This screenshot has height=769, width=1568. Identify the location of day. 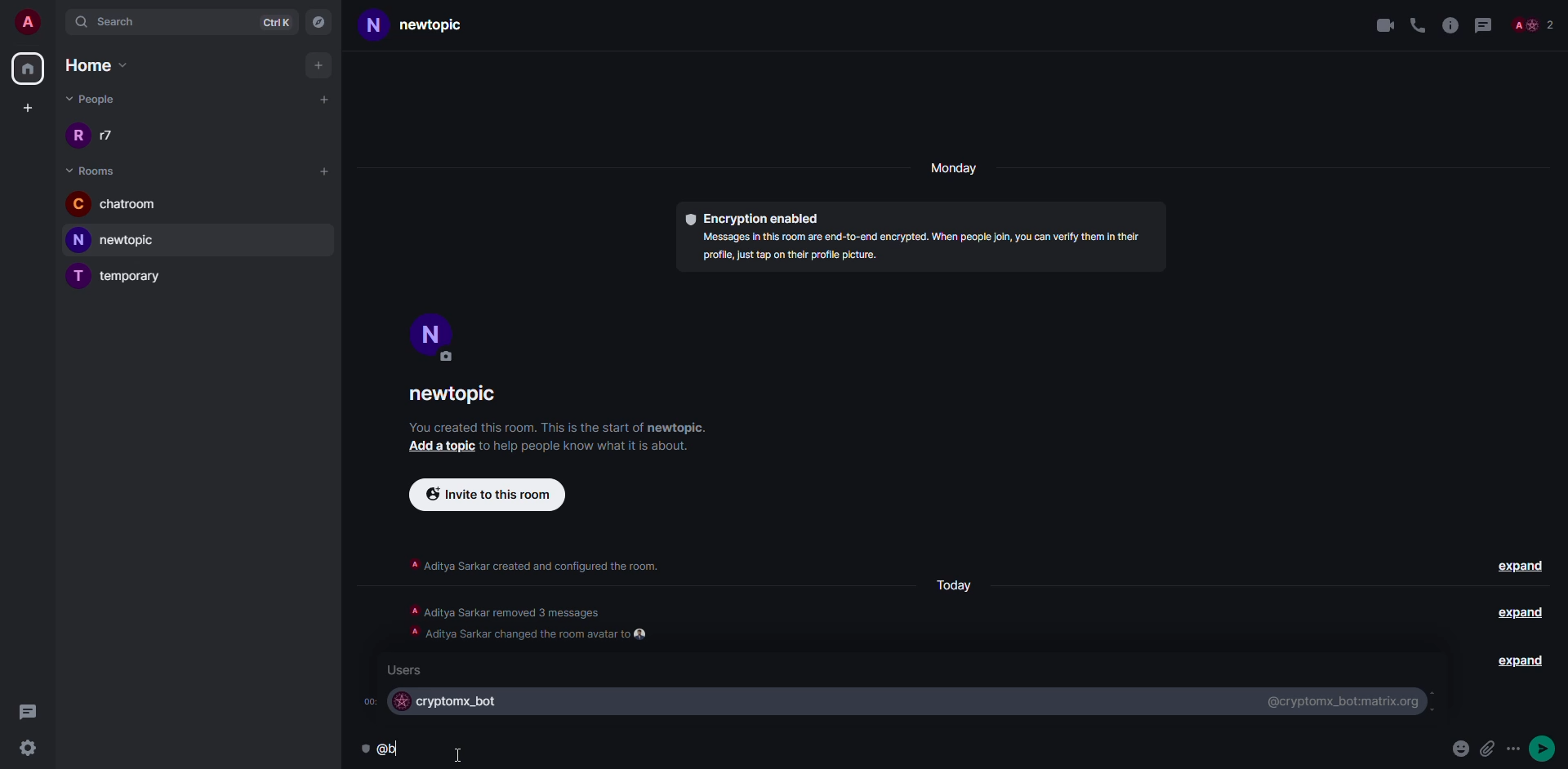
(956, 170).